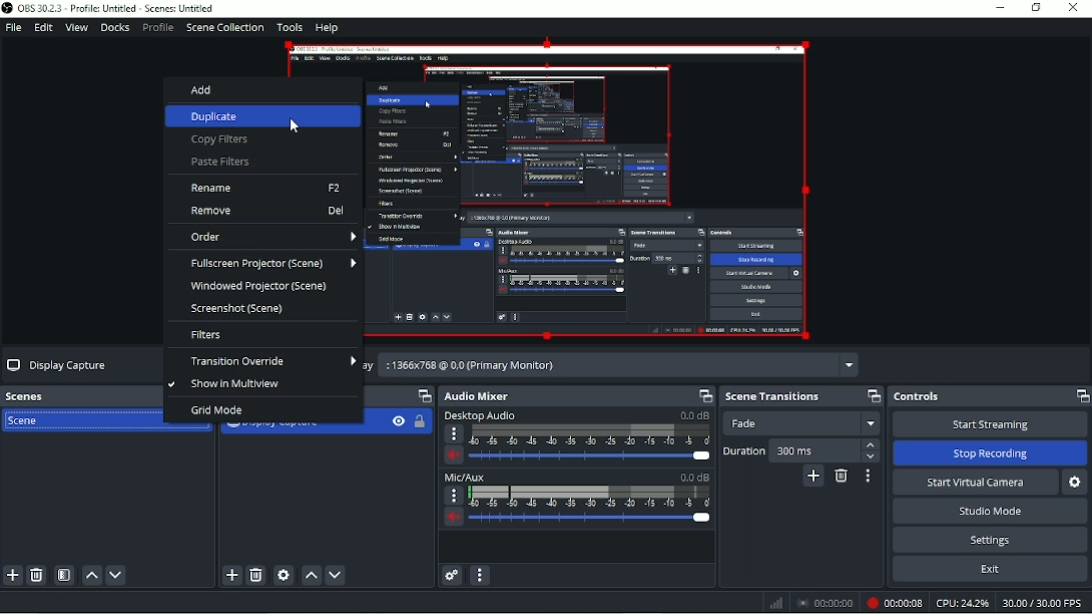 This screenshot has height=614, width=1092. I want to click on Volume, so click(455, 456).